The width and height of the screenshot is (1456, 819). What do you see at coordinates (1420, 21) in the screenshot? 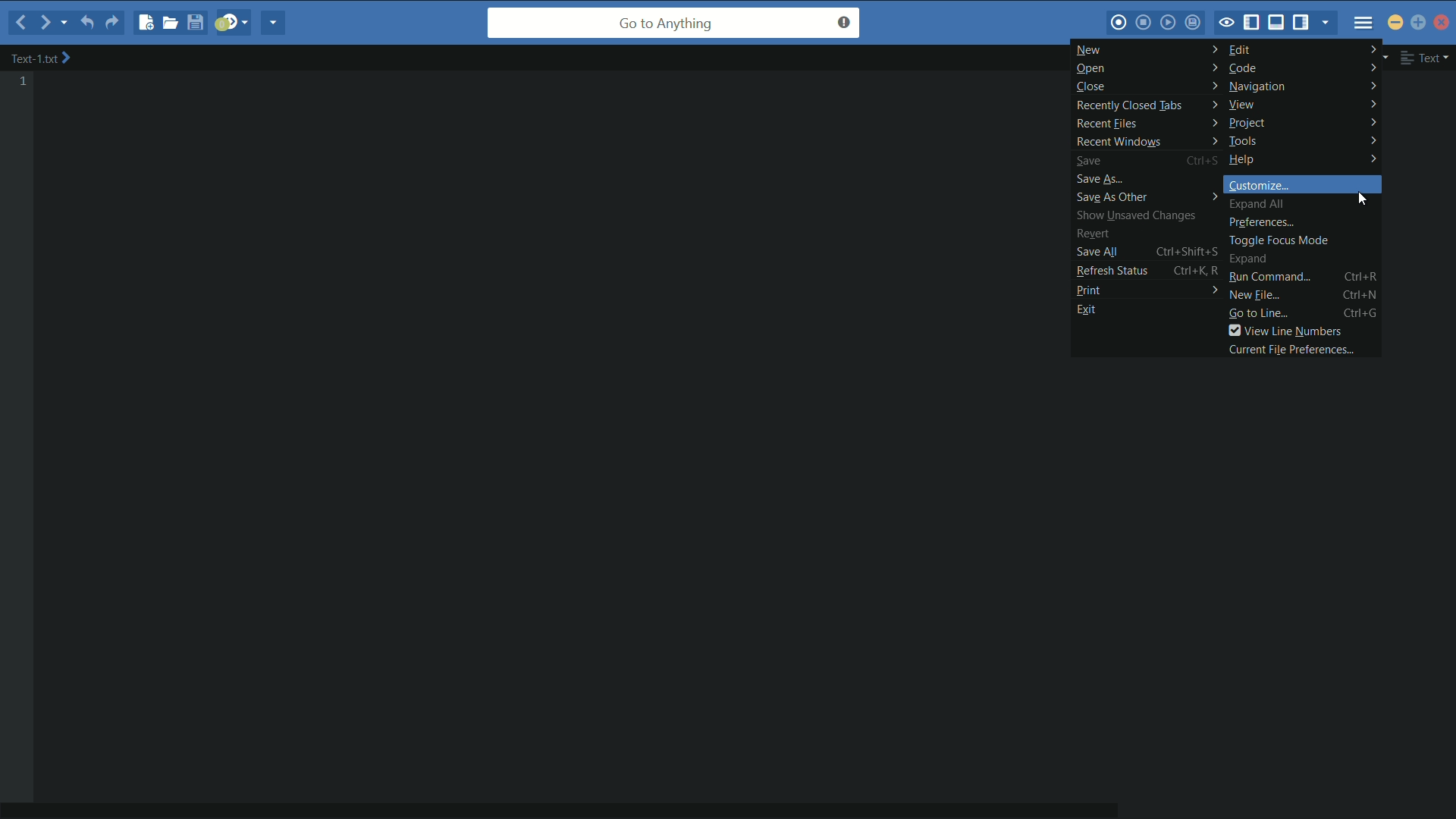
I see `maximize` at bounding box center [1420, 21].